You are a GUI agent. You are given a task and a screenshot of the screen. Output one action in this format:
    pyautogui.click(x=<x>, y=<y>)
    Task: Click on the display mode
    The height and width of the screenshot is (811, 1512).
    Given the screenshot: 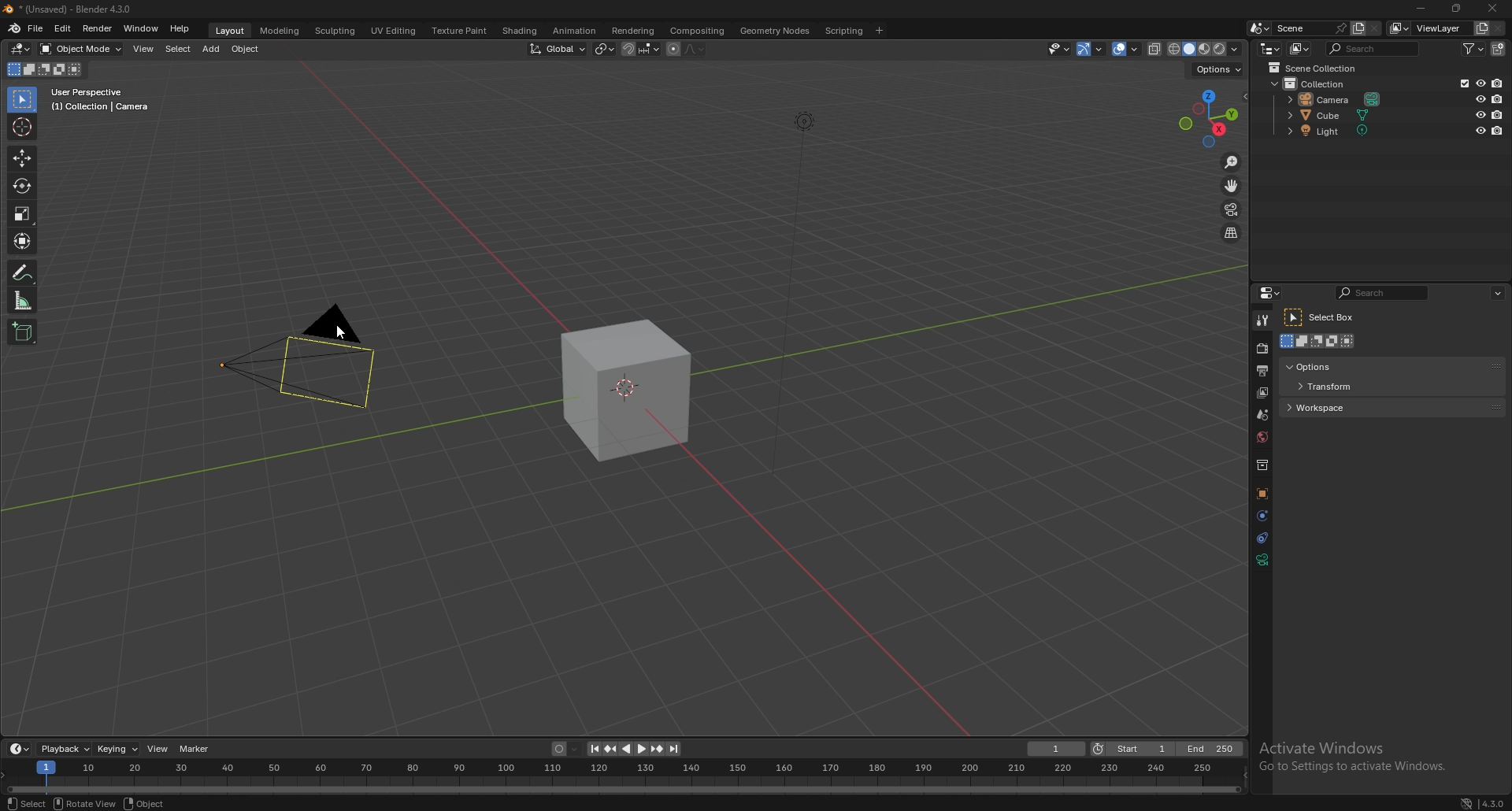 What is the action you would take?
    pyautogui.click(x=1299, y=49)
    